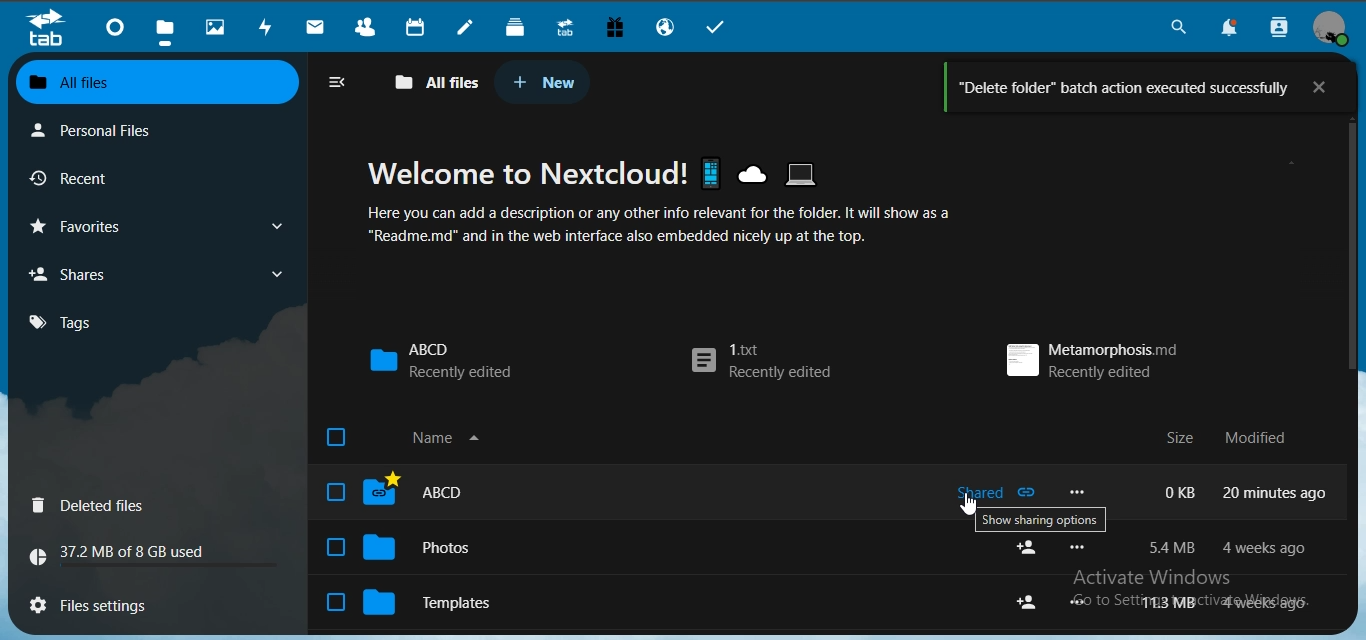 The width and height of the screenshot is (1366, 640). Describe the element at coordinates (615, 26) in the screenshot. I see `free trial` at that location.